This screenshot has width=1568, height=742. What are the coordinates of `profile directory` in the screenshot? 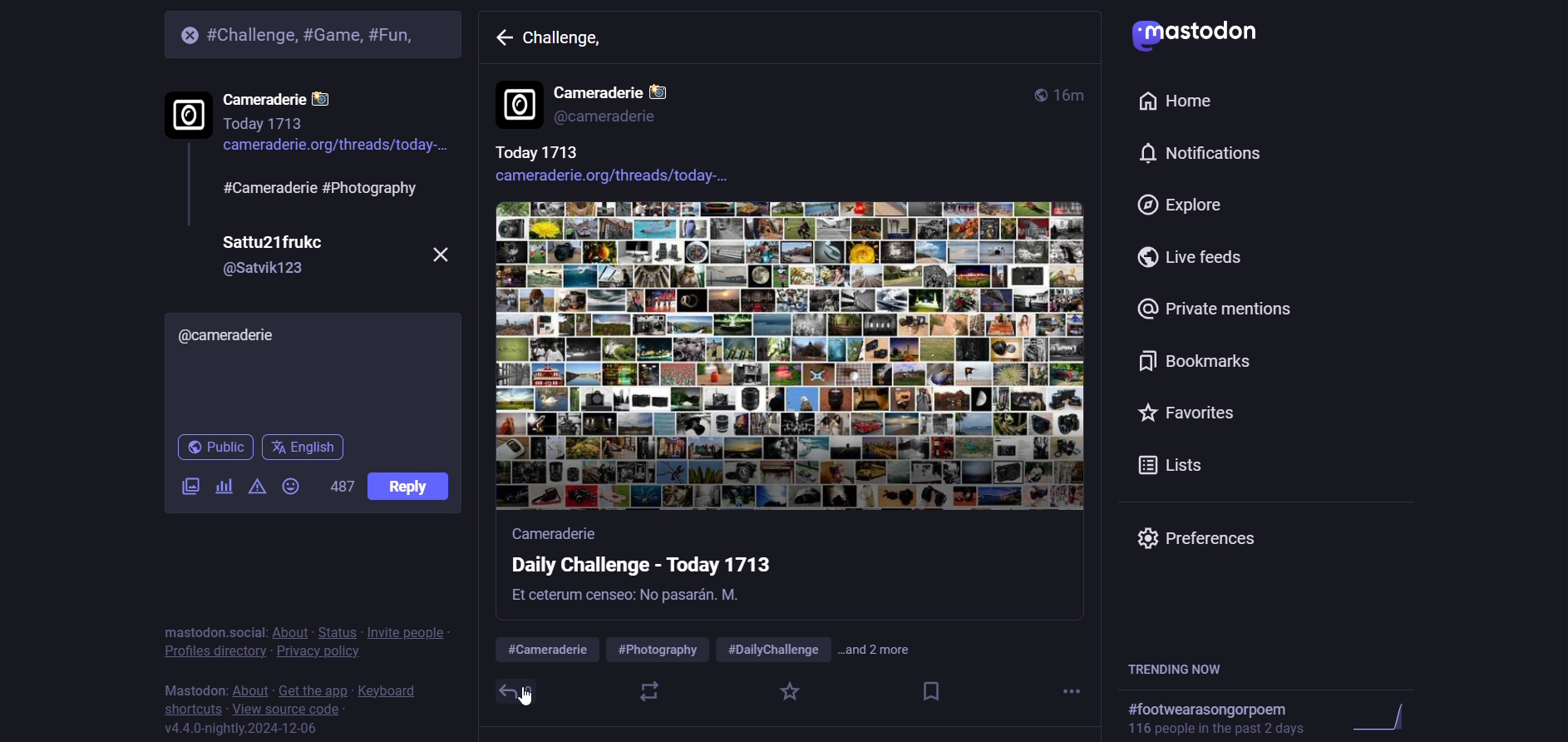 It's located at (214, 651).